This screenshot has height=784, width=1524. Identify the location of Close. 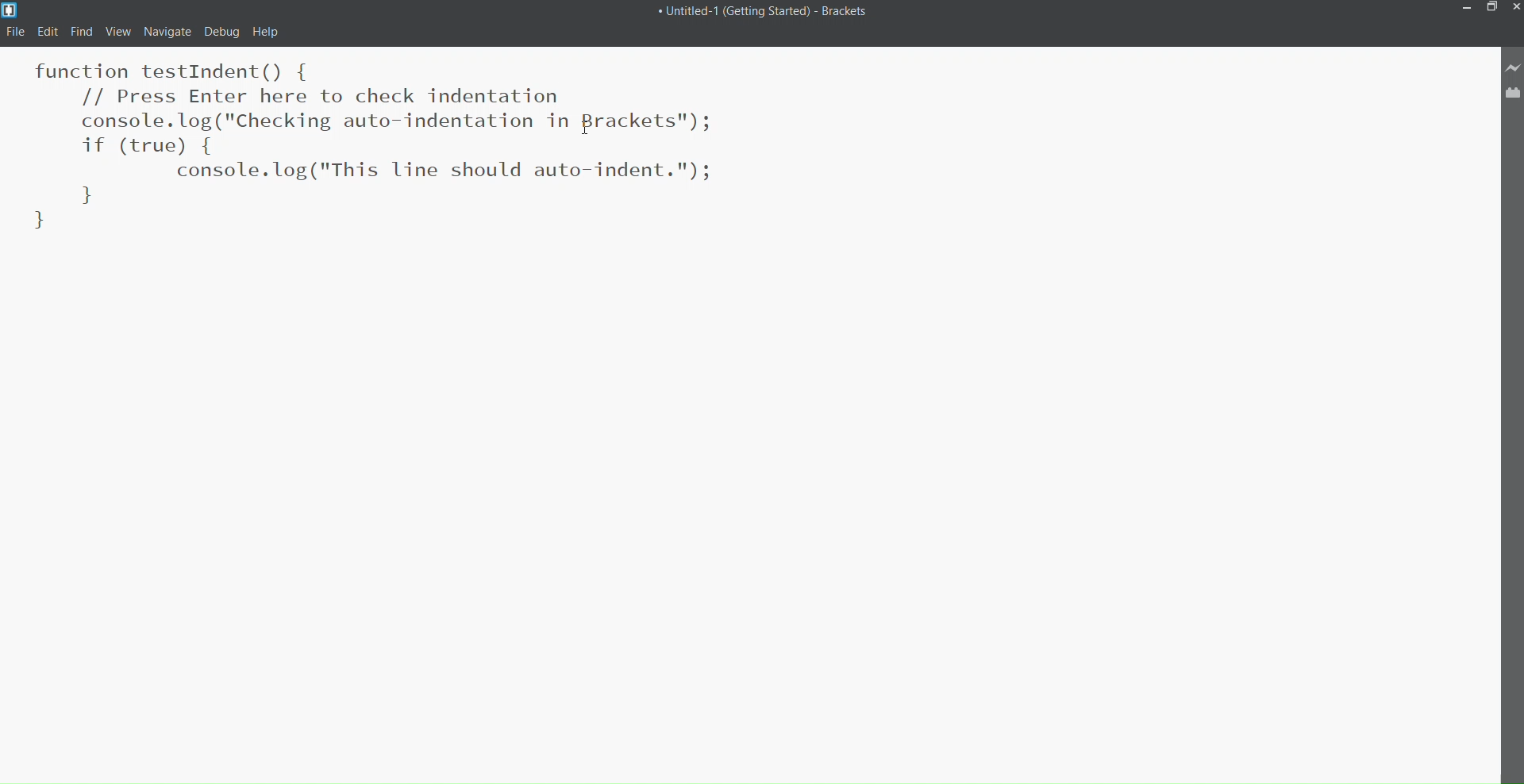
(1518, 7).